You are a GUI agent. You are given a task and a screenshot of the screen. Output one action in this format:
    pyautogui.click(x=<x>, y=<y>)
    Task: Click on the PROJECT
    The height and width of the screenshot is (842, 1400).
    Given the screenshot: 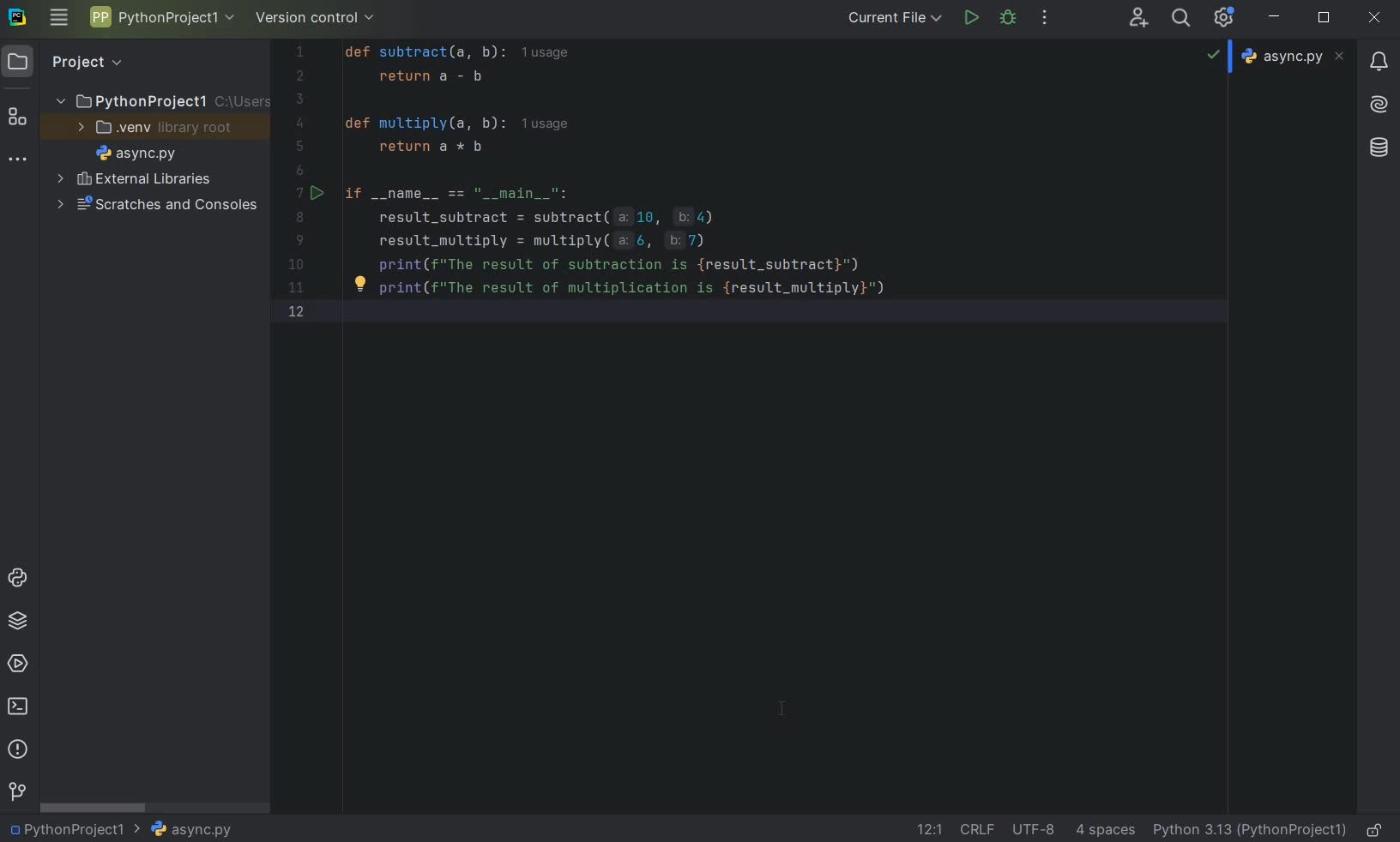 What is the action you would take?
    pyautogui.click(x=73, y=62)
    